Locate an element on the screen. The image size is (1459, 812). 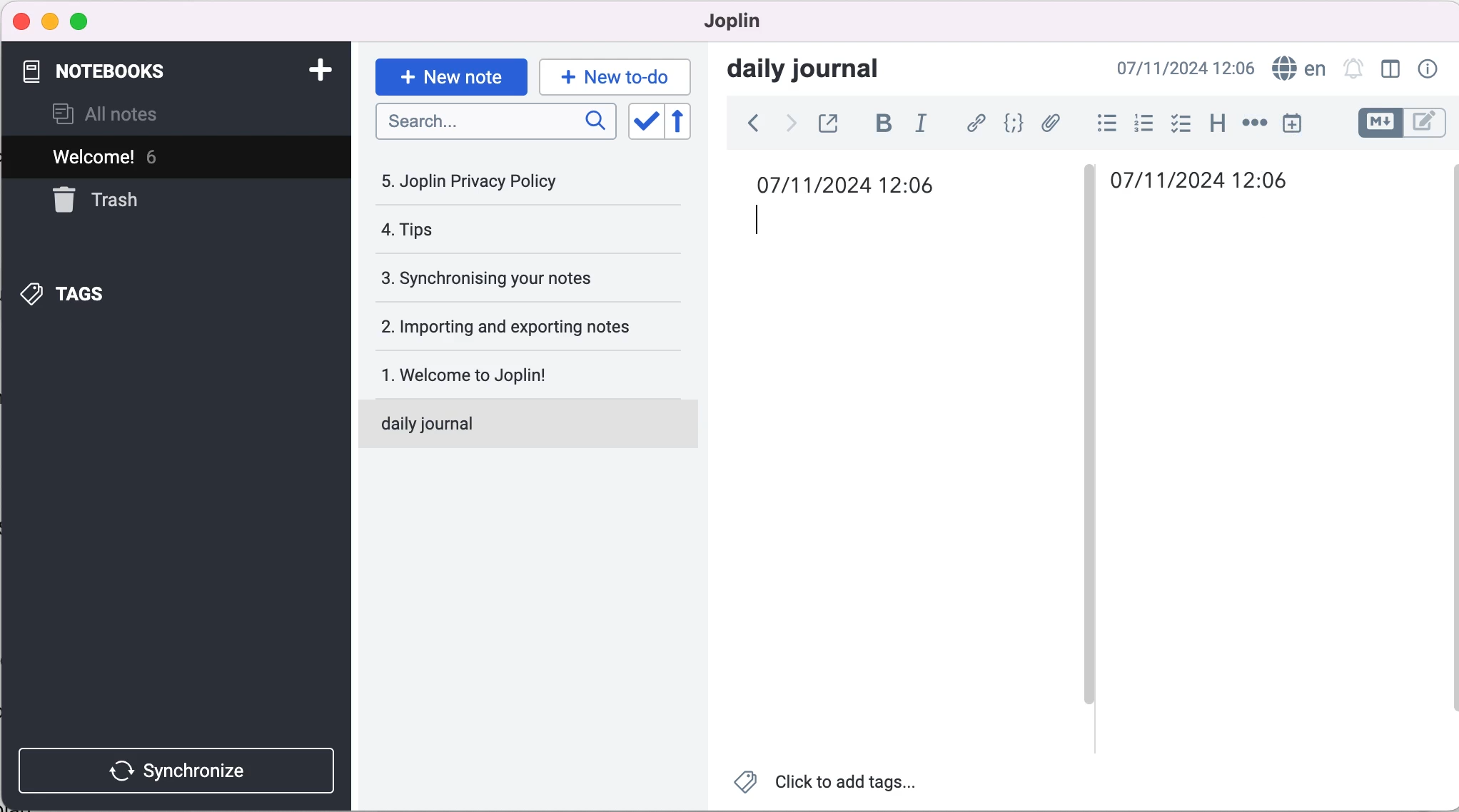
welcome to joplin! is located at coordinates (489, 374).